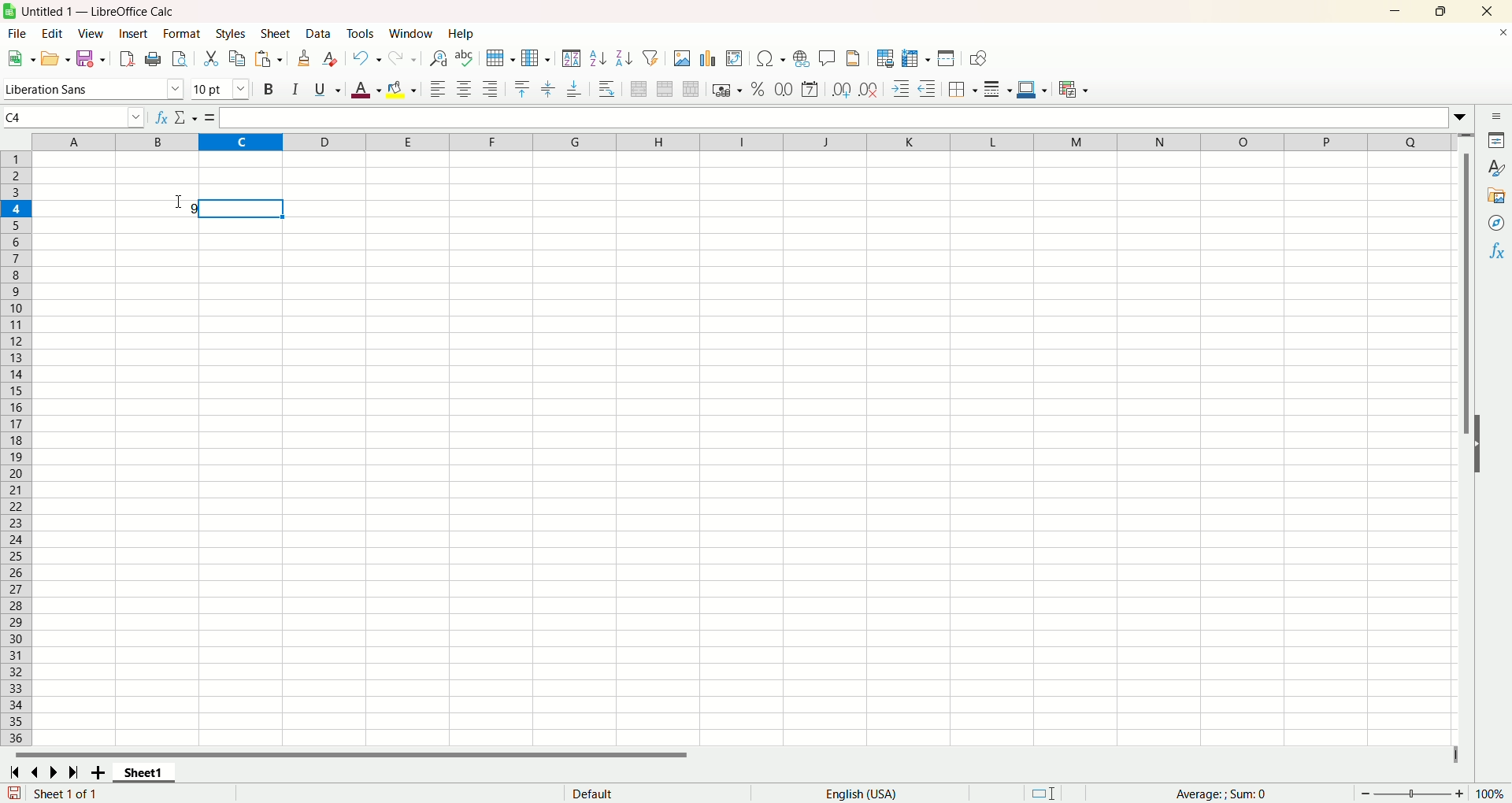 The height and width of the screenshot is (803, 1512). What do you see at coordinates (150, 773) in the screenshot?
I see `sheet name` at bounding box center [150, 773].